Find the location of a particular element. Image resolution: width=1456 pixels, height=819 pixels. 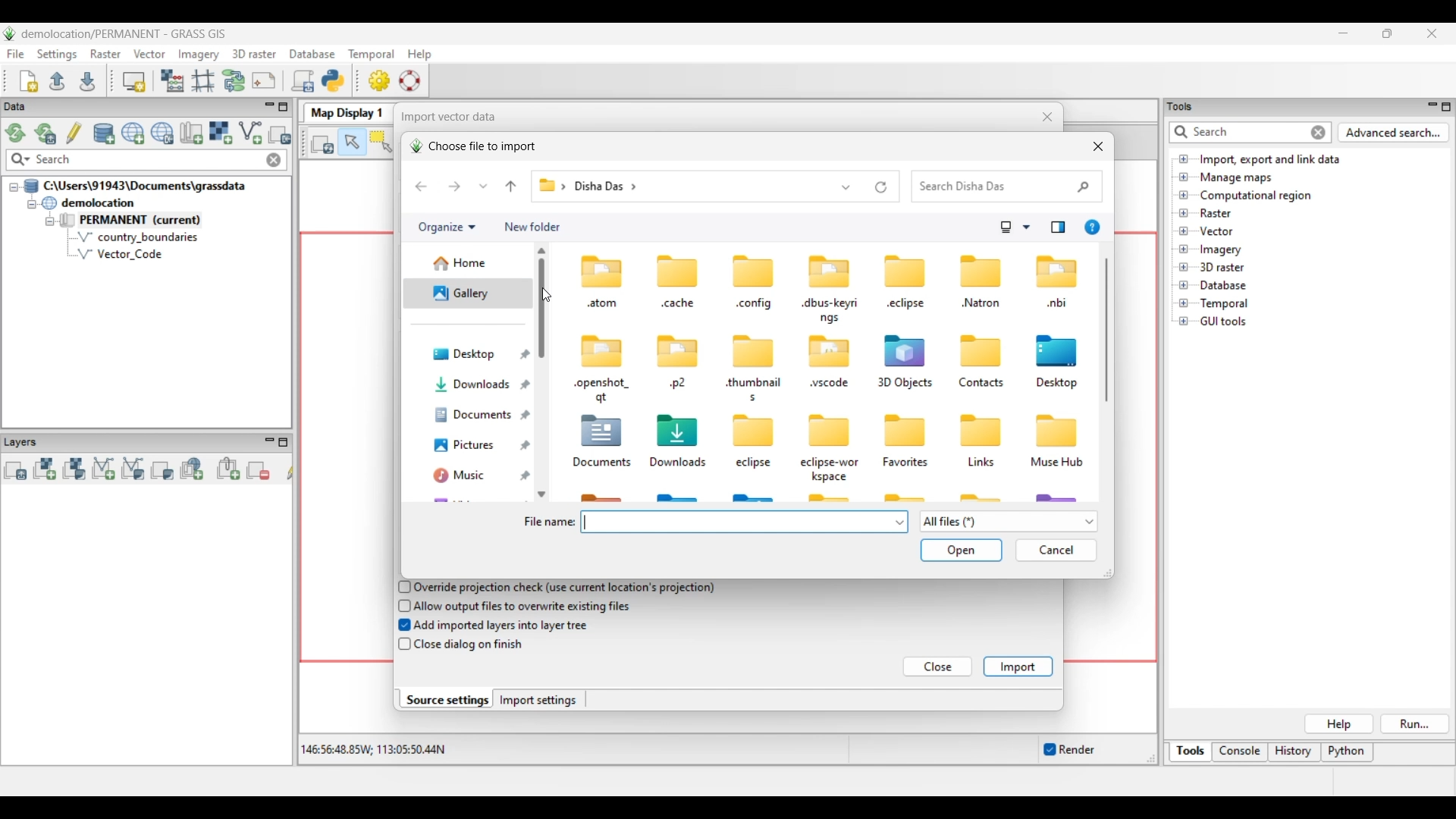

Add existing or create new database is located at coordinates (105, 134).